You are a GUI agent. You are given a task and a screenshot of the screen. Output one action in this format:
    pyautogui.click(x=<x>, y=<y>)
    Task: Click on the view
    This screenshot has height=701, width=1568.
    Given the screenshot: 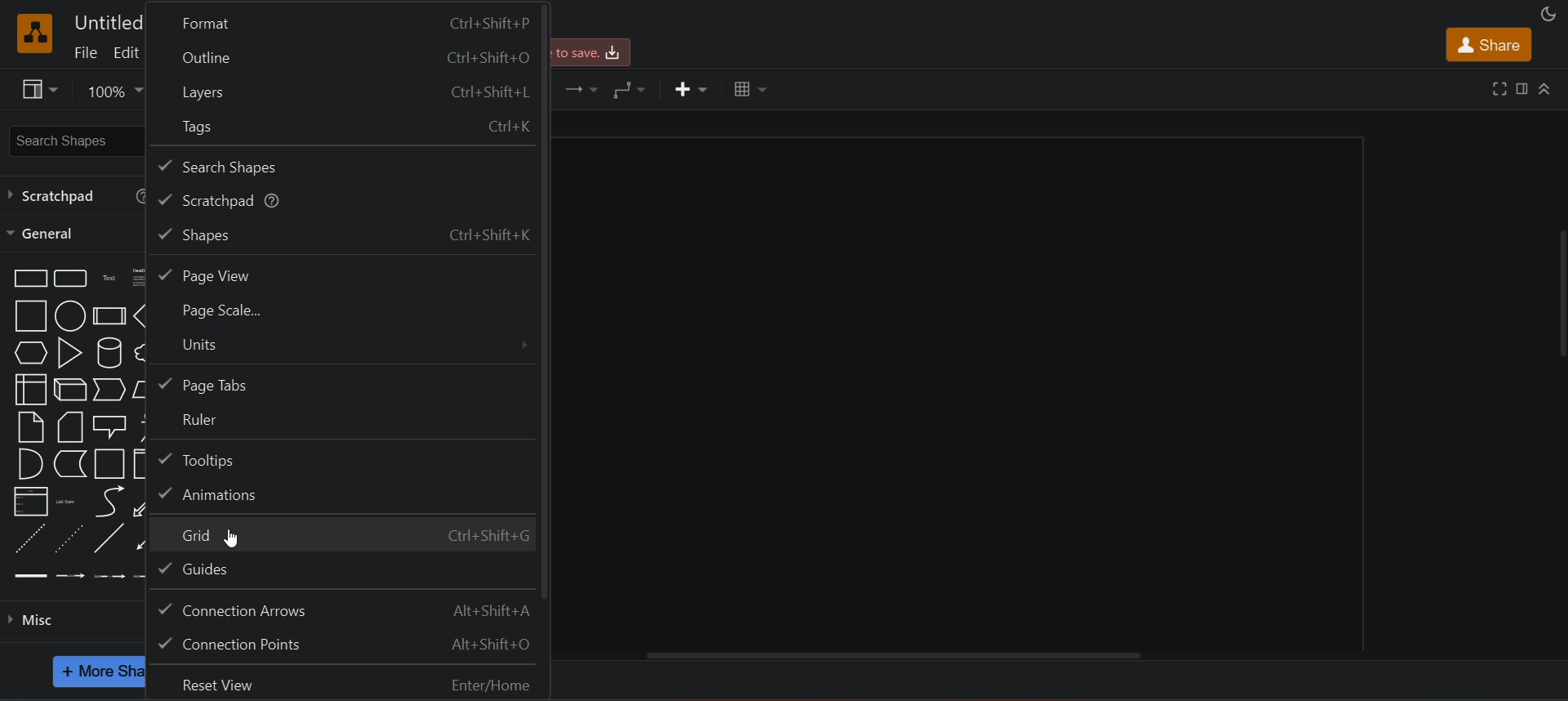 What is the action you would take?
    pyautogui.click(x=36, y=89)
    